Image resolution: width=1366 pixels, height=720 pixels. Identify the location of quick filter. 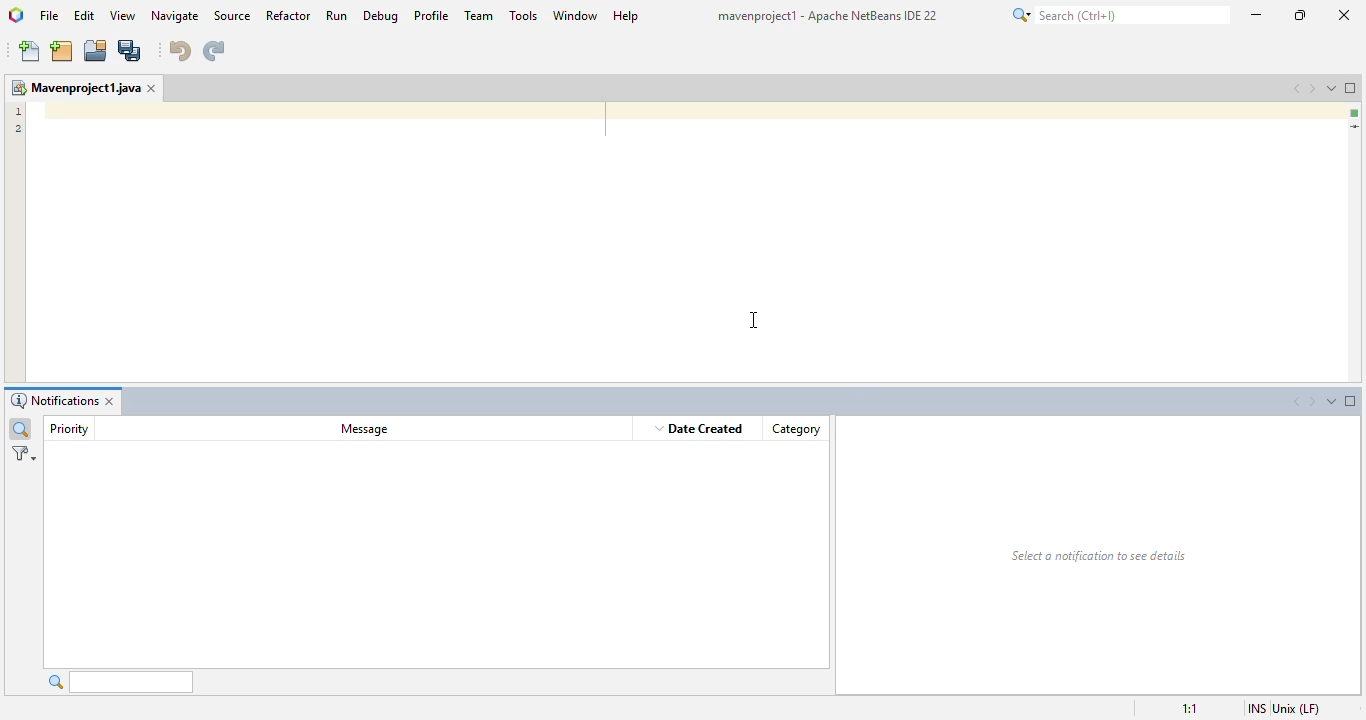
(20, 429).